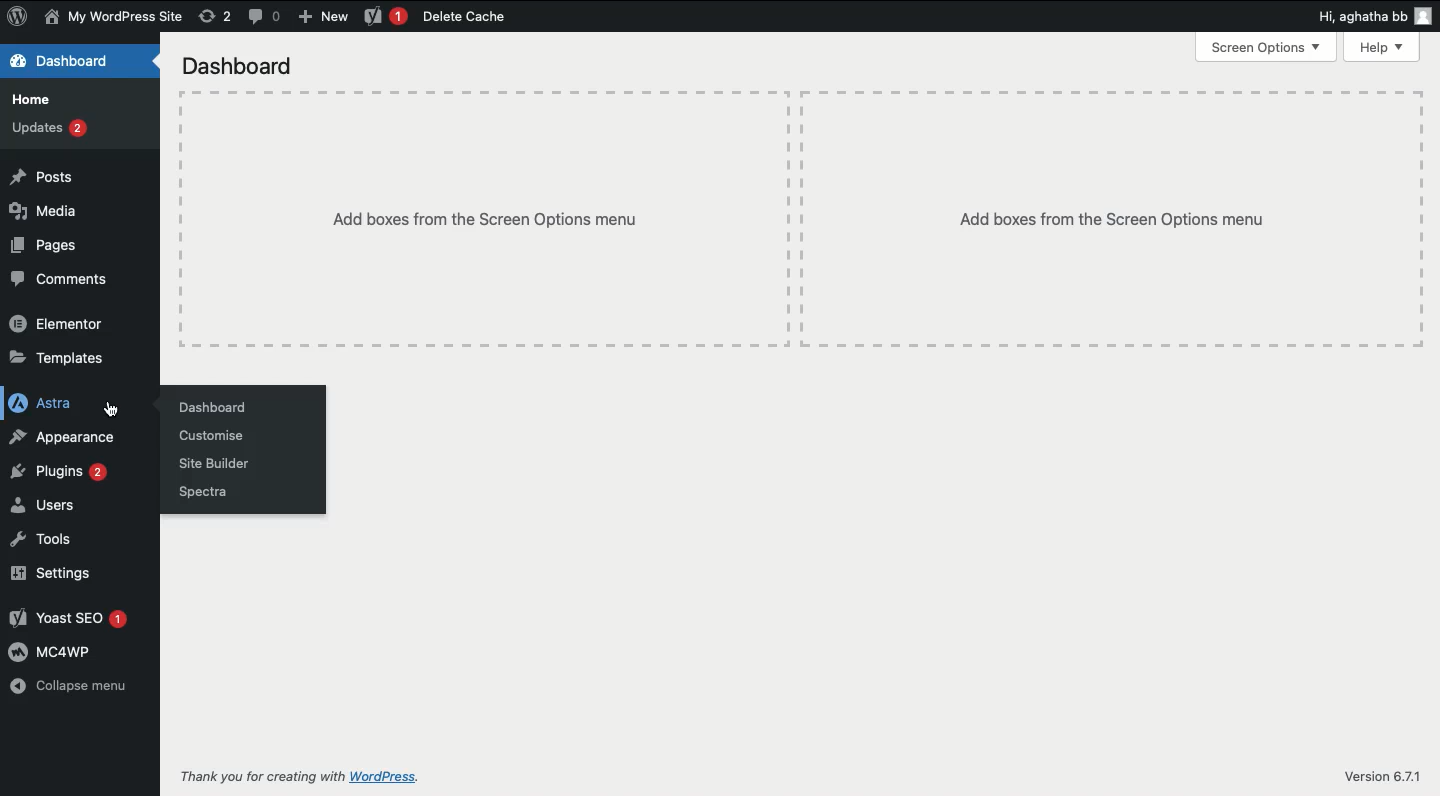 The width and height of the screenshot is (1440, 796). I want to click on Site builder, so click(215, 465).